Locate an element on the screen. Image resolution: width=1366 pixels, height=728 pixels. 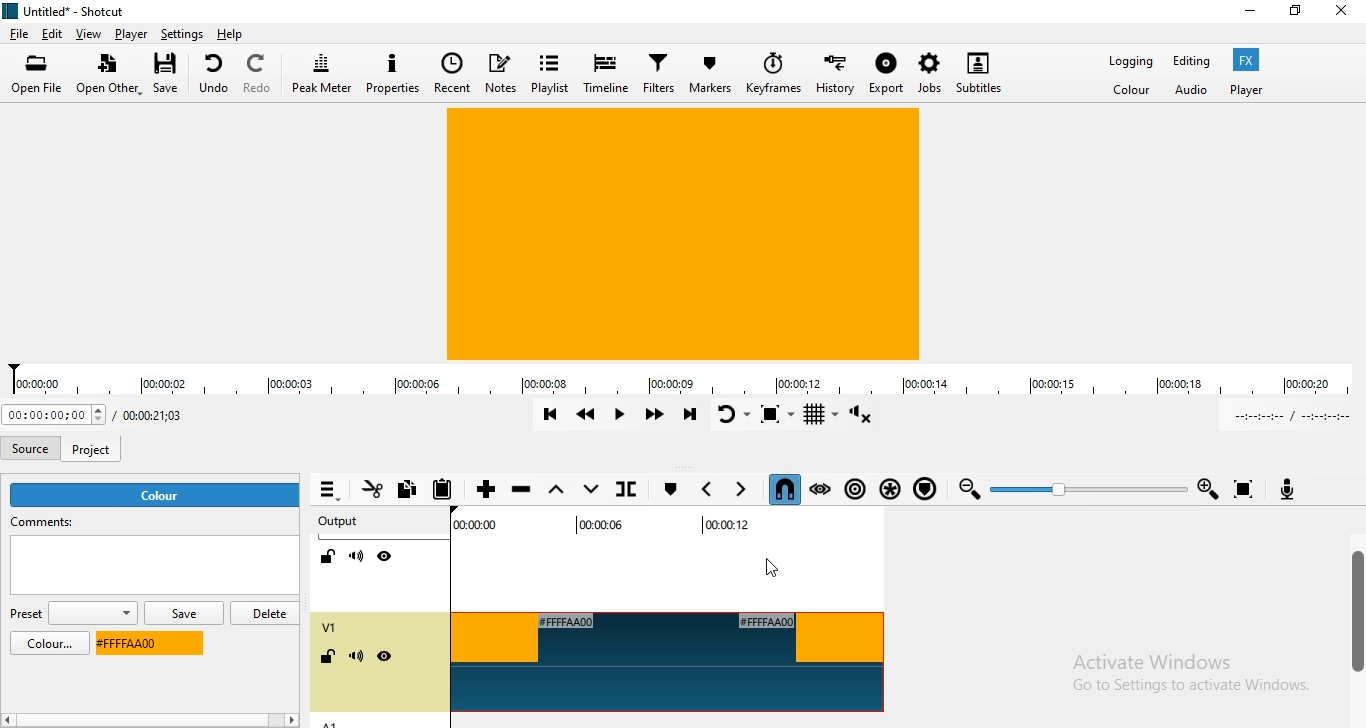
restore is located at coordinates (1294, 15).